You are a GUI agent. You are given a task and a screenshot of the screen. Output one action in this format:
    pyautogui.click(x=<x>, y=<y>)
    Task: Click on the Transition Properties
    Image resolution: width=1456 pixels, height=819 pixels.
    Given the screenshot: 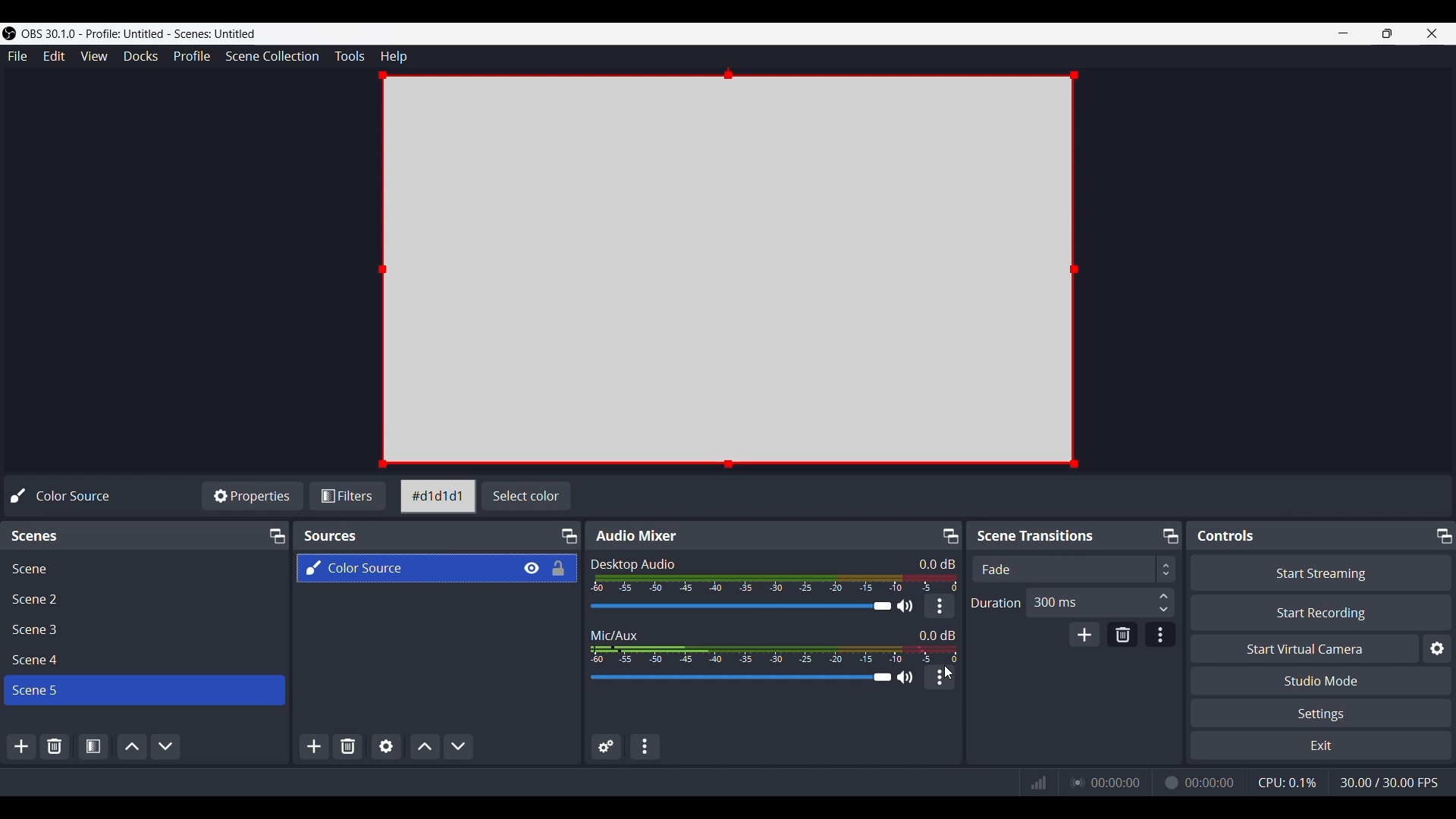 What is the action you would take?
    pyautogui.click(x=1160, y=634)
    